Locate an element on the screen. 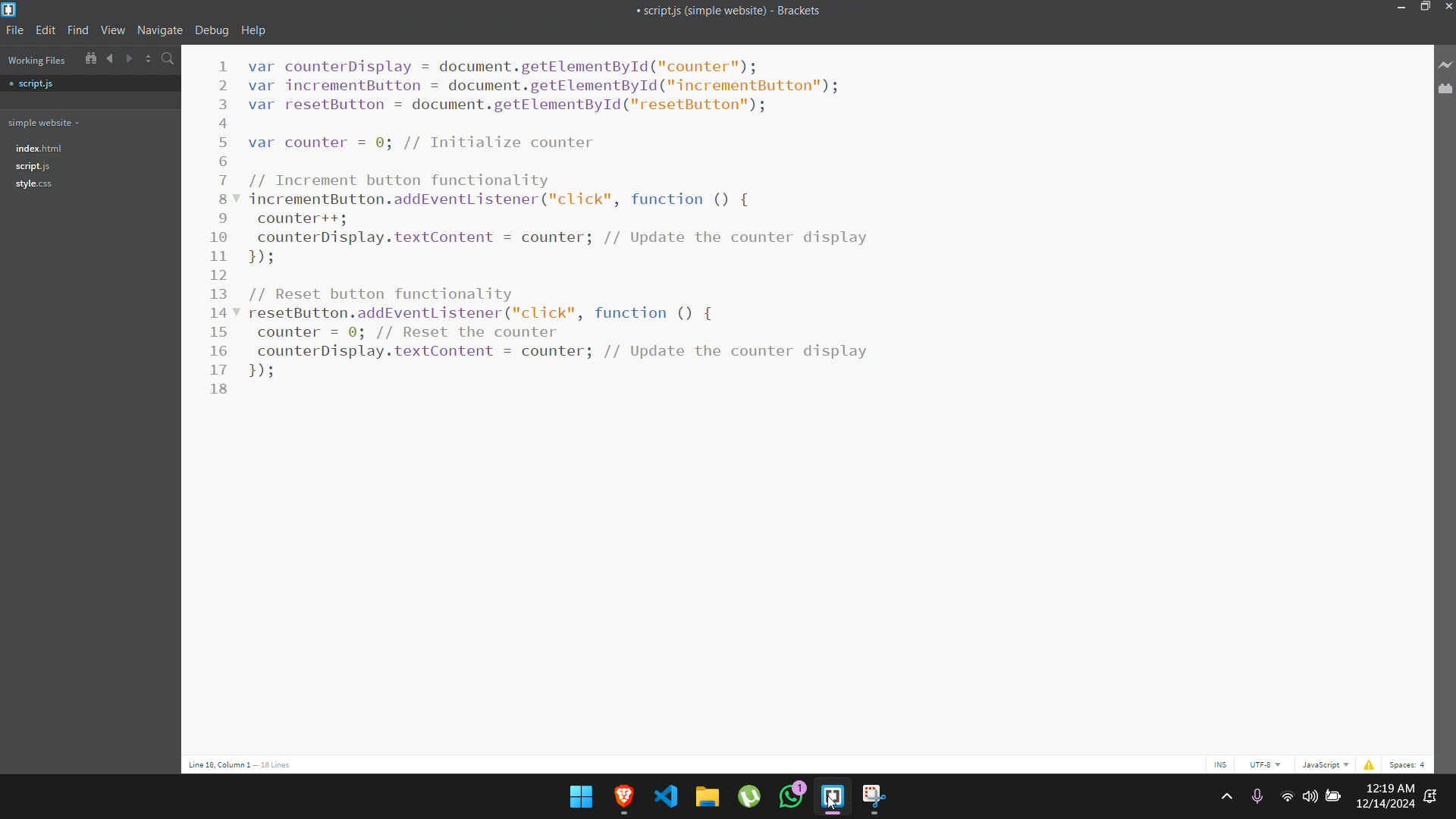 The width and height of the screenshot is (1456, 819). minimize is located at coordinates (1402, 7).